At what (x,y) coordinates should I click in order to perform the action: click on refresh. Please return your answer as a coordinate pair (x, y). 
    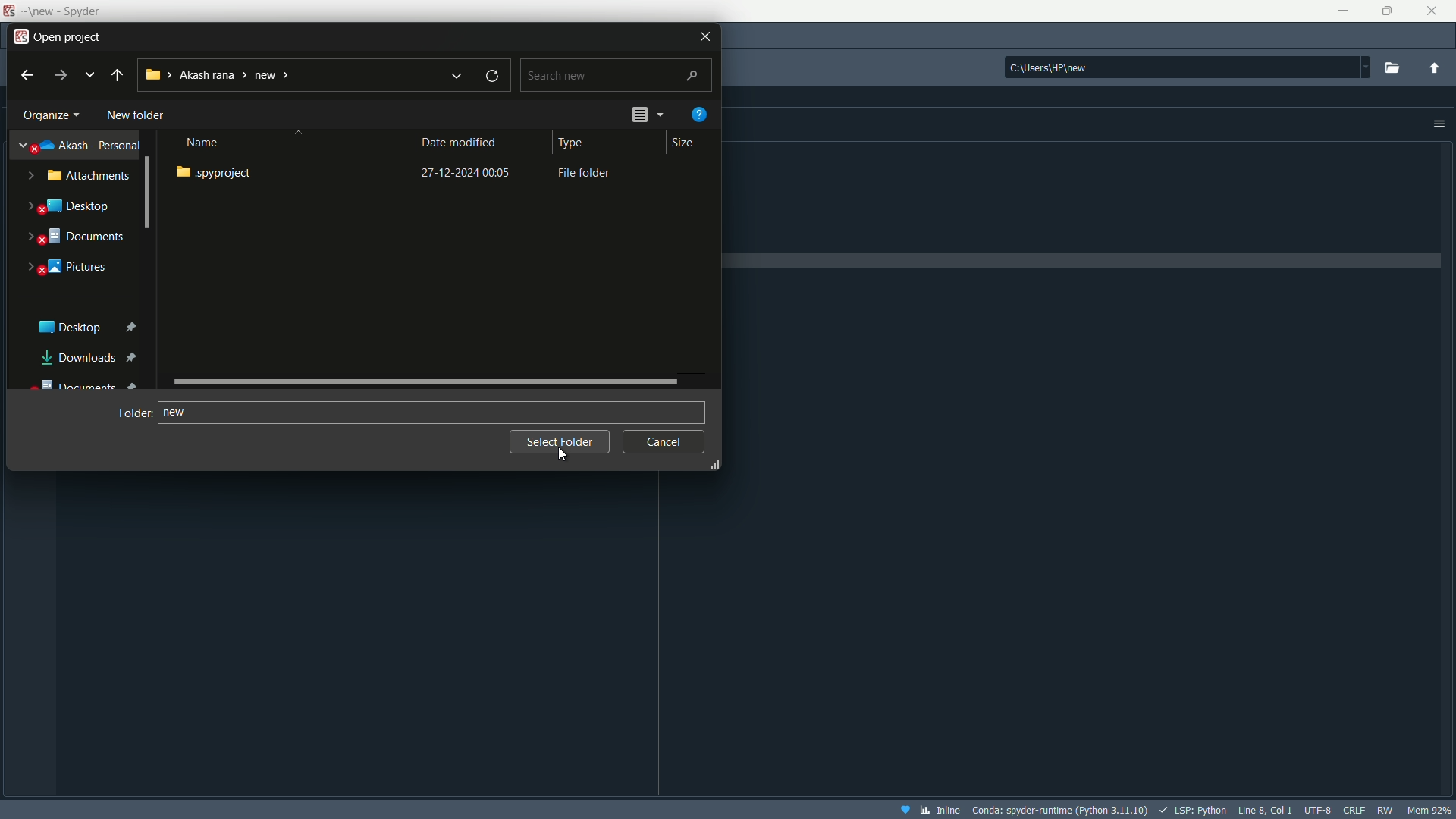
    Looking at the image, I should click on (493, 74).